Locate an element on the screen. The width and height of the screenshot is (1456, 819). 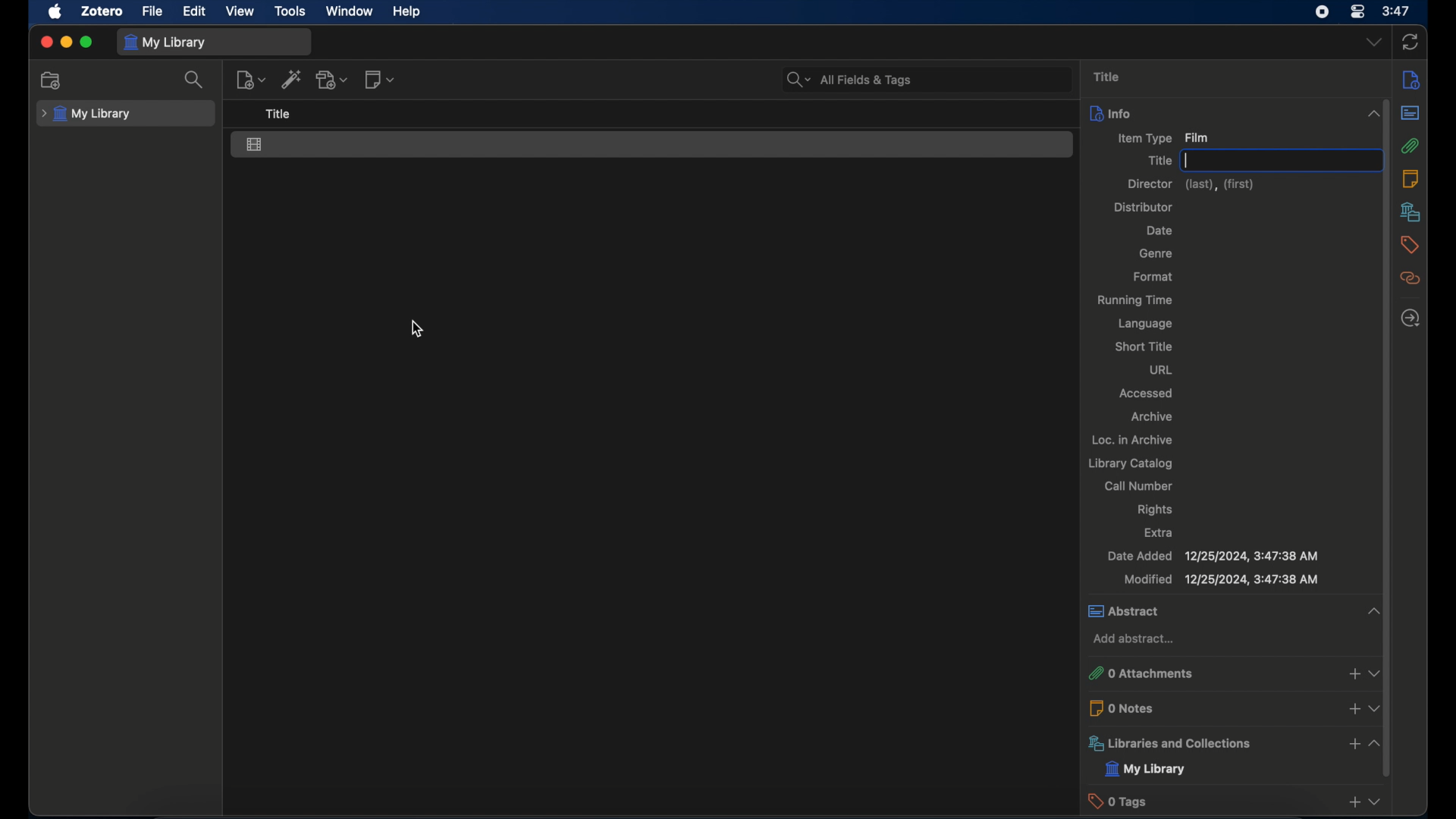
new collection is located at coordinates (51, 80).